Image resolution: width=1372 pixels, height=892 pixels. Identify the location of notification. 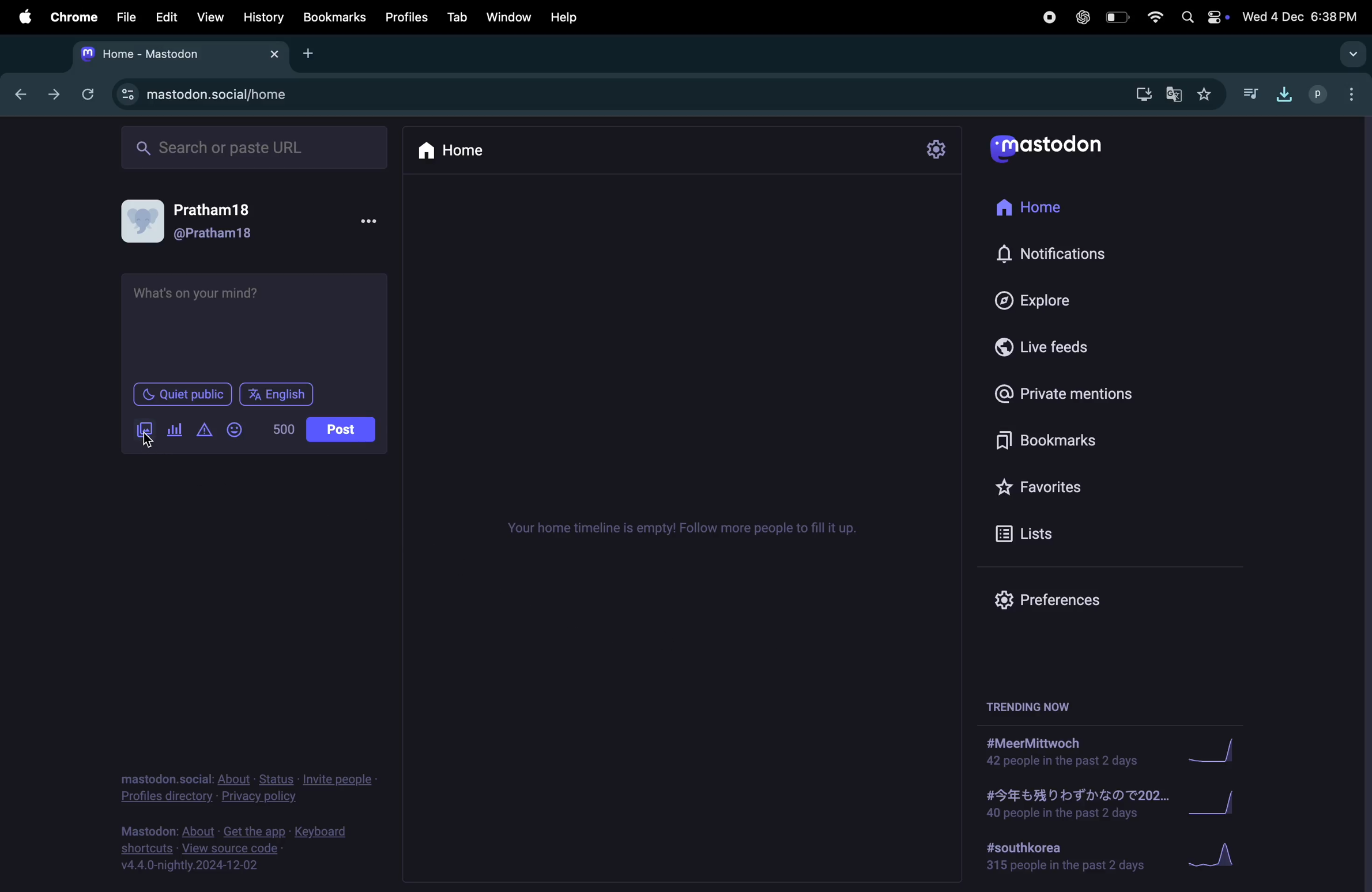
(1061, 260).